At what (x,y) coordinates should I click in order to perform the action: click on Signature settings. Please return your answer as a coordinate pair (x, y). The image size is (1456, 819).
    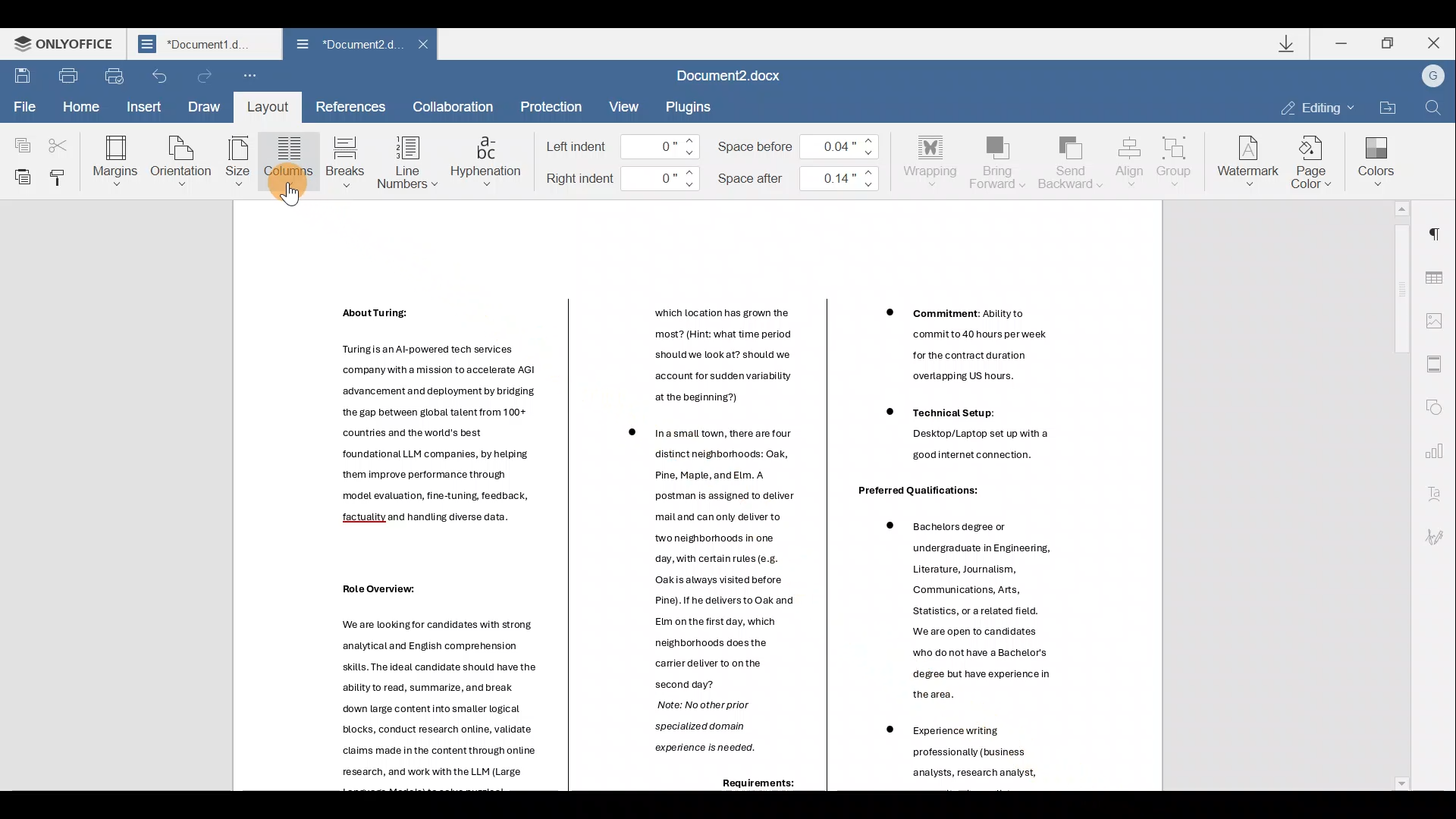
    Looking at the image, I should click on (1441, 536).